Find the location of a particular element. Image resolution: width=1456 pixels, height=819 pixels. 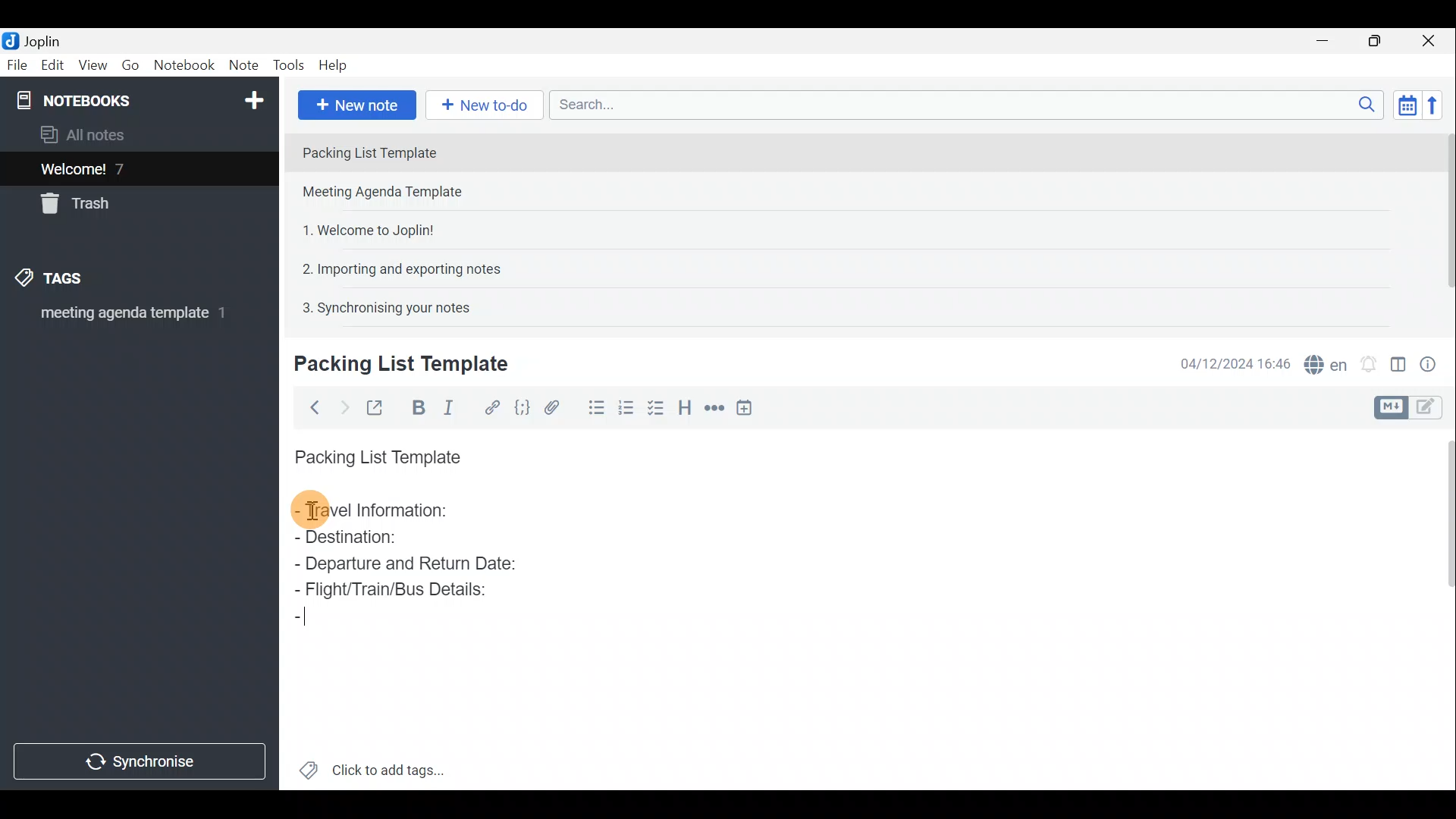

Note 4 is located at coordinates (394, 266).